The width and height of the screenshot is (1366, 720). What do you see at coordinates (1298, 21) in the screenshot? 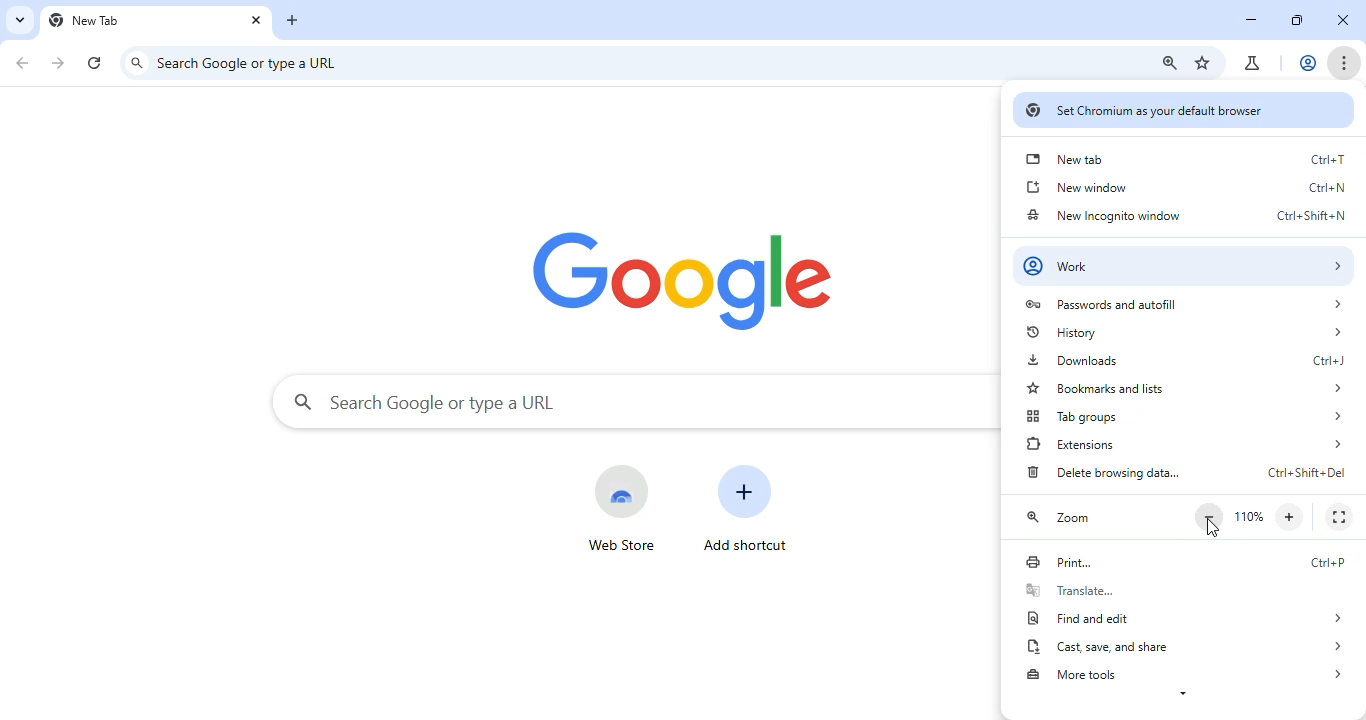
I see `maximize` at bounding box center [1298, 21].